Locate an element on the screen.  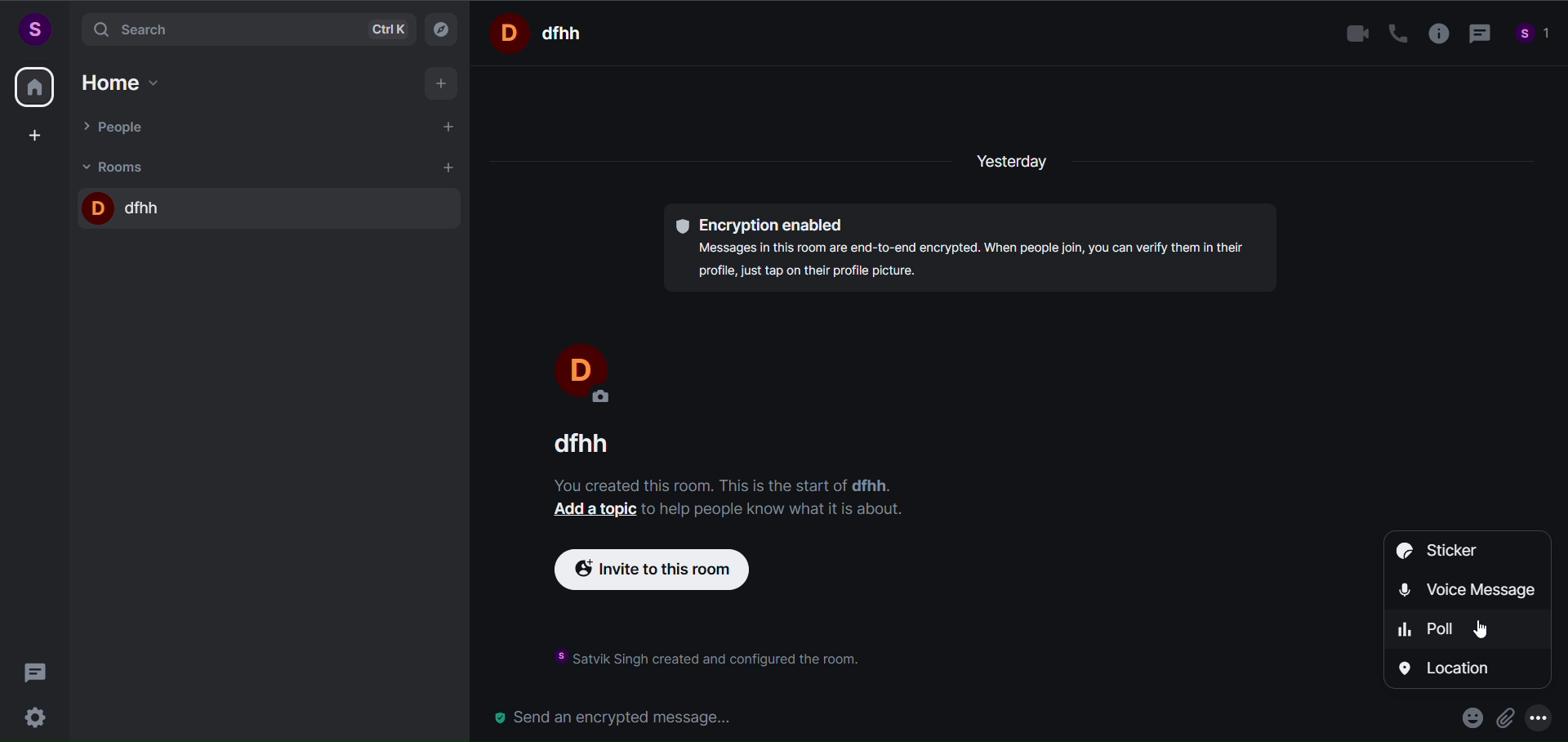
attachment is located at coordinates (1507, 717).